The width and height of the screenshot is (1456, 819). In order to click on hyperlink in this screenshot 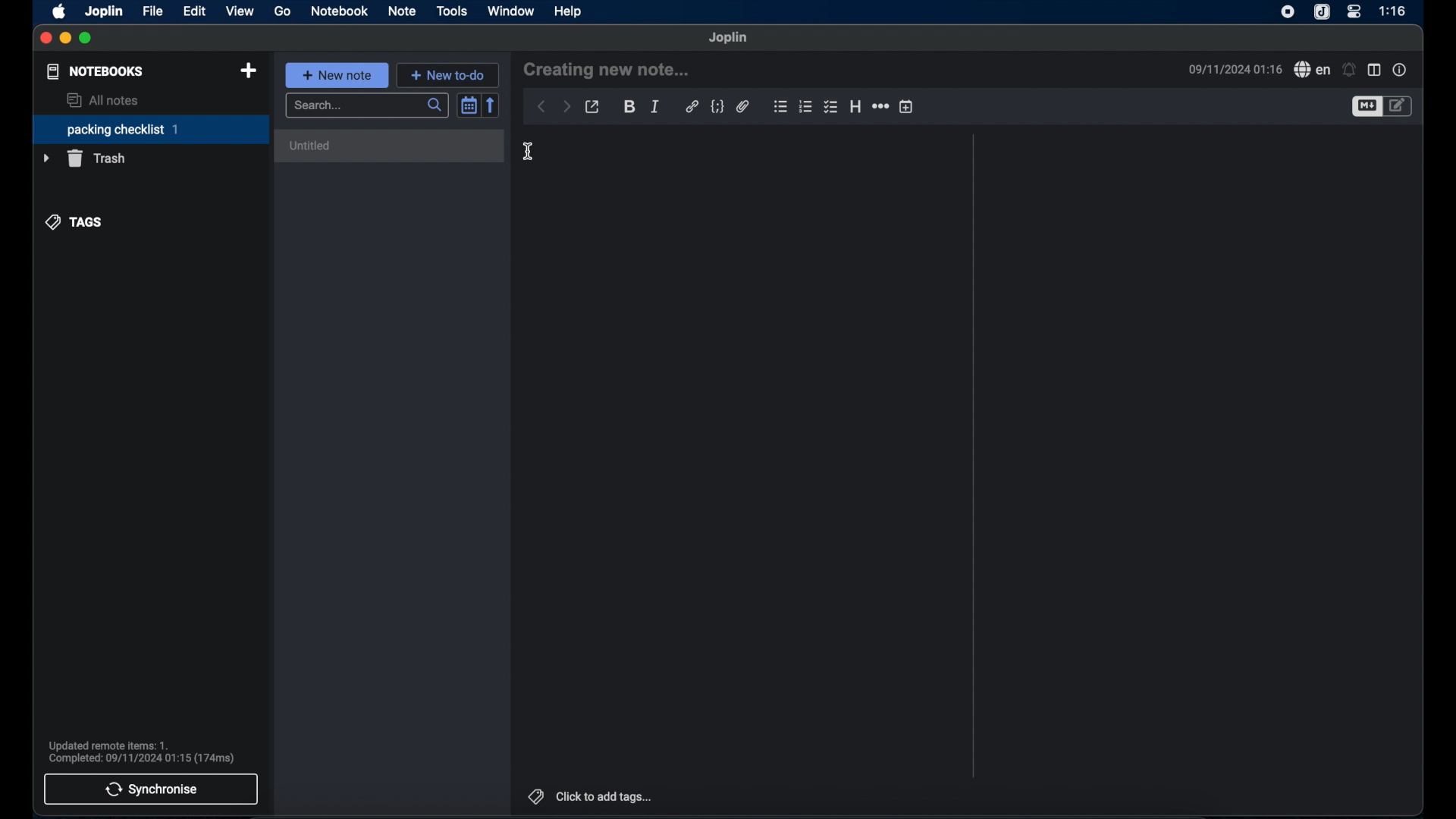, I will do `click(692, 107)`.